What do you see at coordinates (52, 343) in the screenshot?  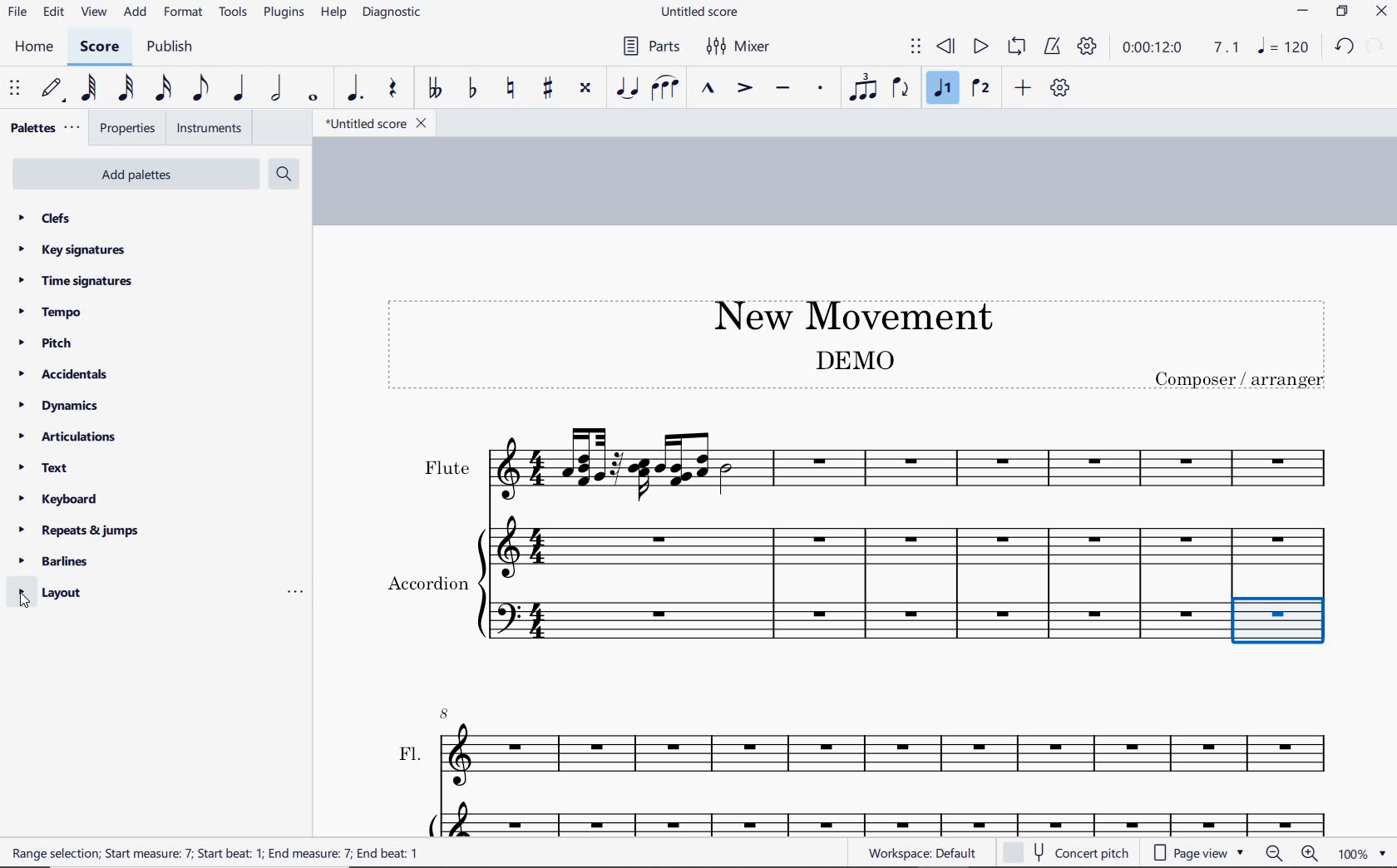 I see `pitch` at bounding box center [52, 343].